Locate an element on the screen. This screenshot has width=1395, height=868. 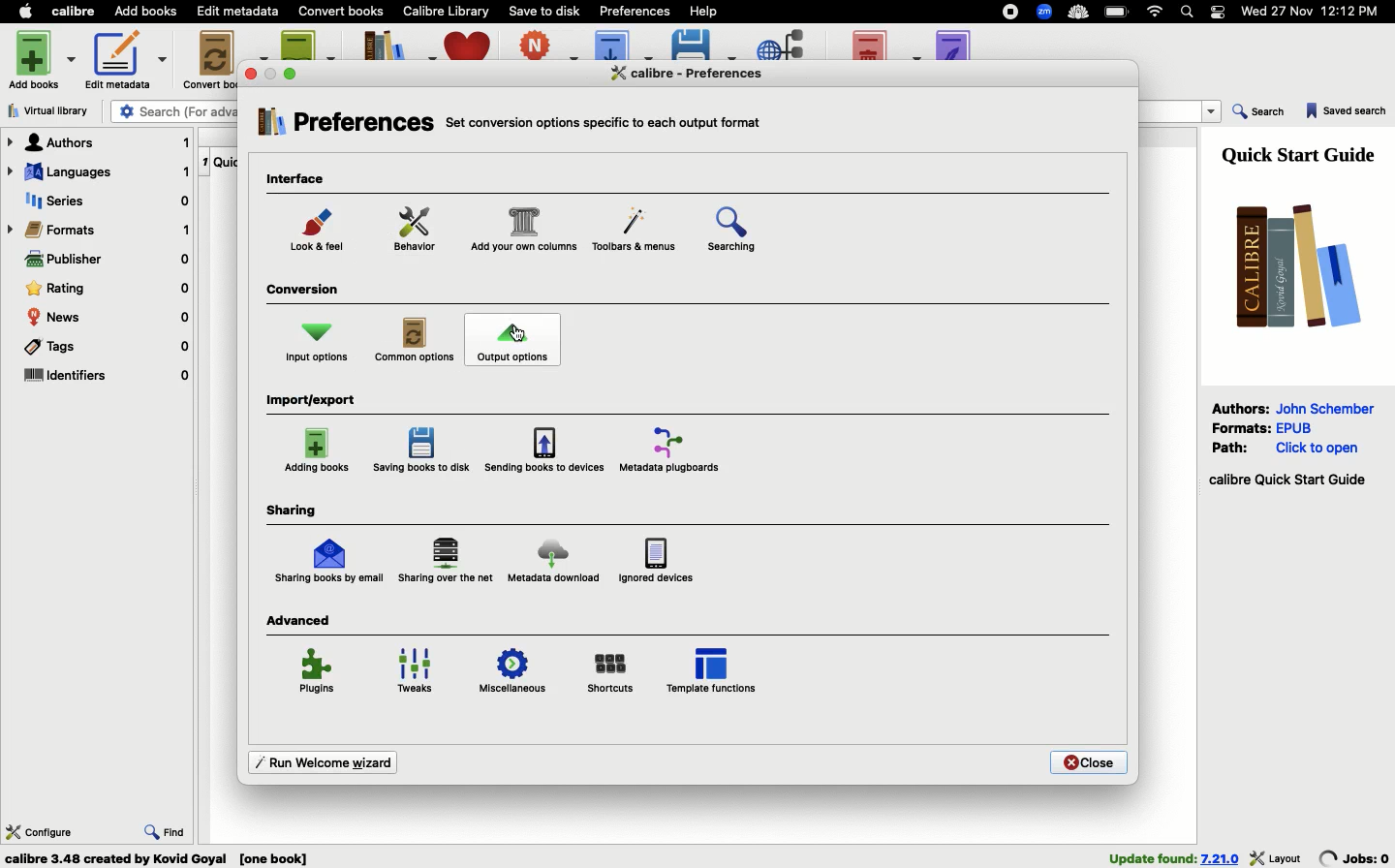
Preferences is located at coordinates (701, 73).